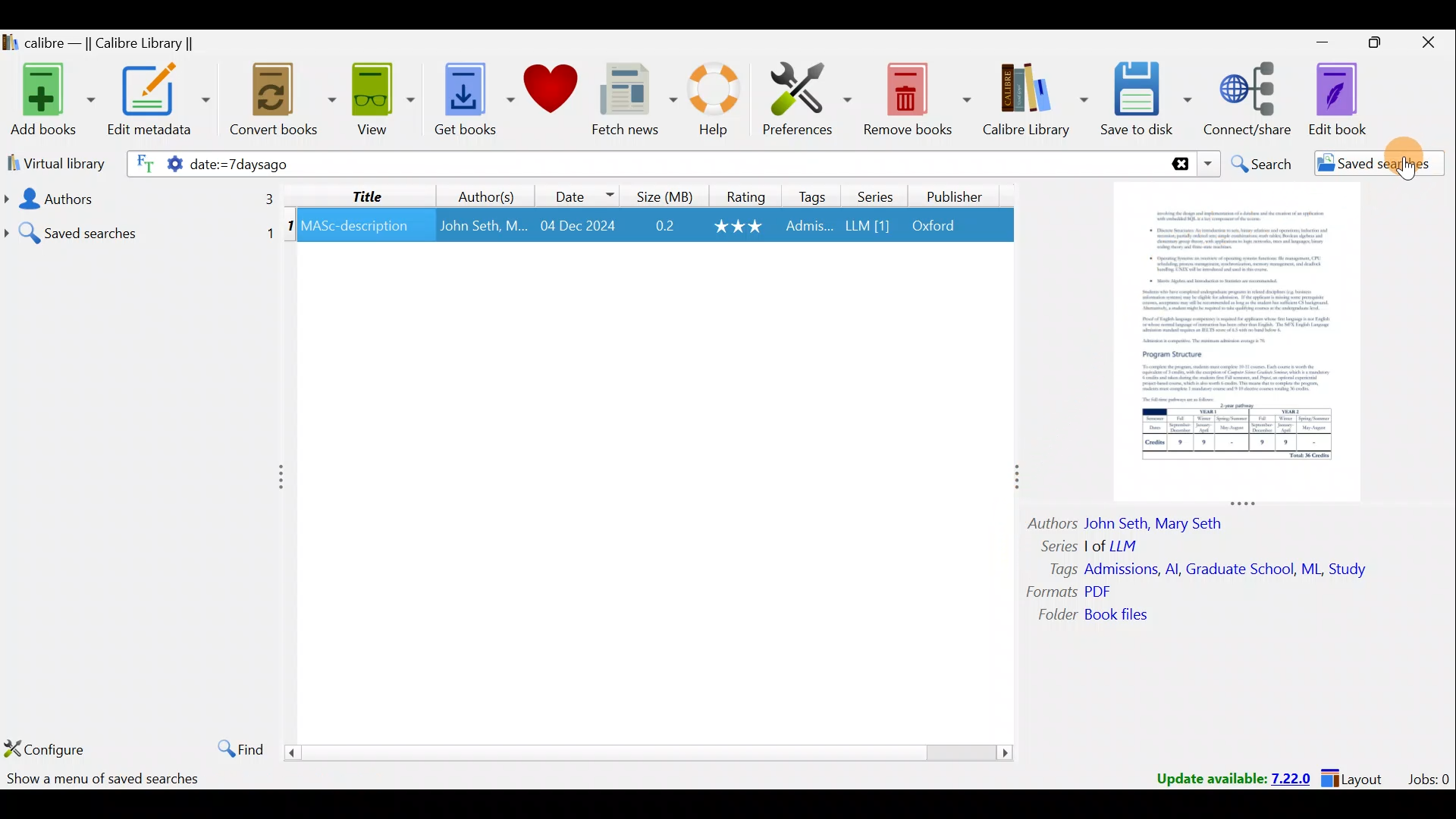  Describe the element at coordinates (284, 104) in the screenshot. I see `Convert books` at that location.